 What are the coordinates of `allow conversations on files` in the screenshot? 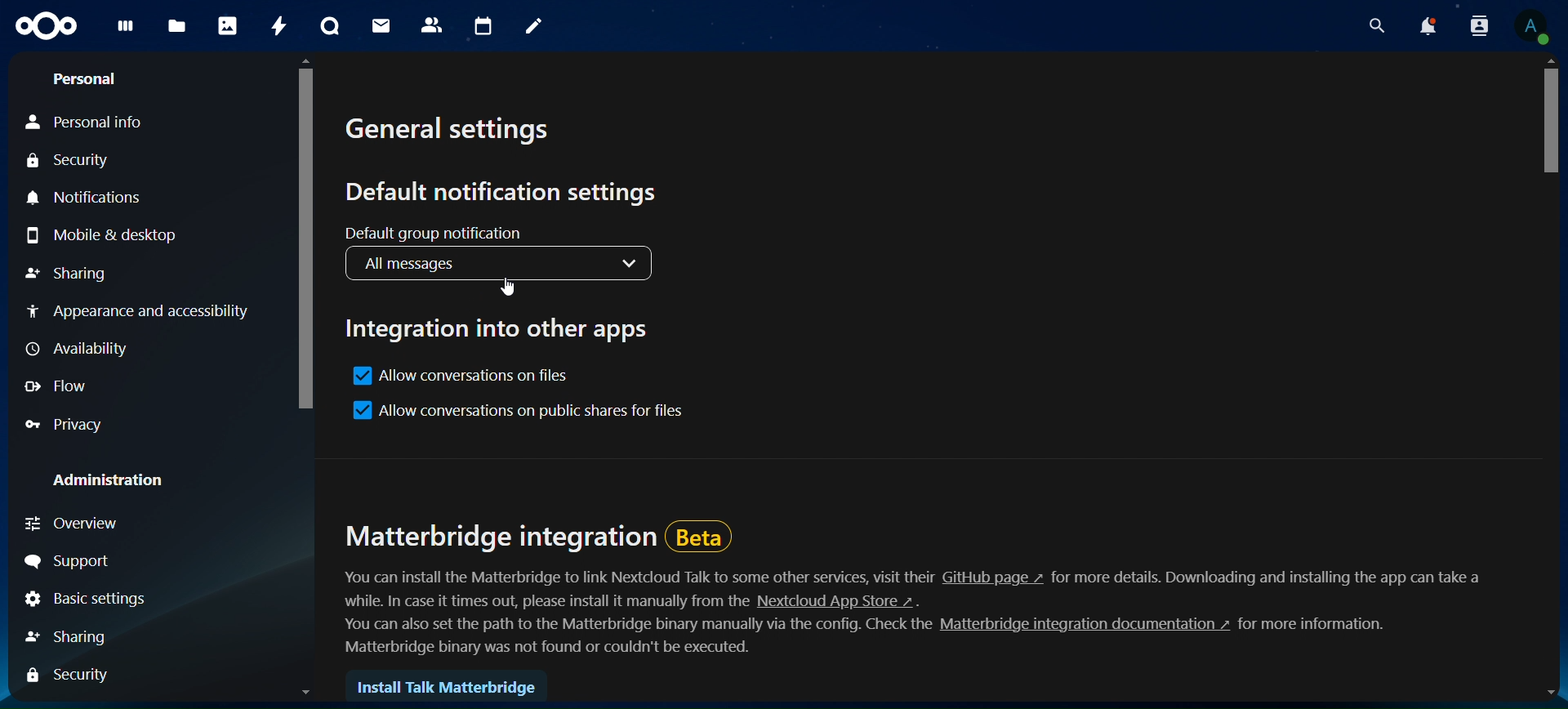 It's located at (461, 377).